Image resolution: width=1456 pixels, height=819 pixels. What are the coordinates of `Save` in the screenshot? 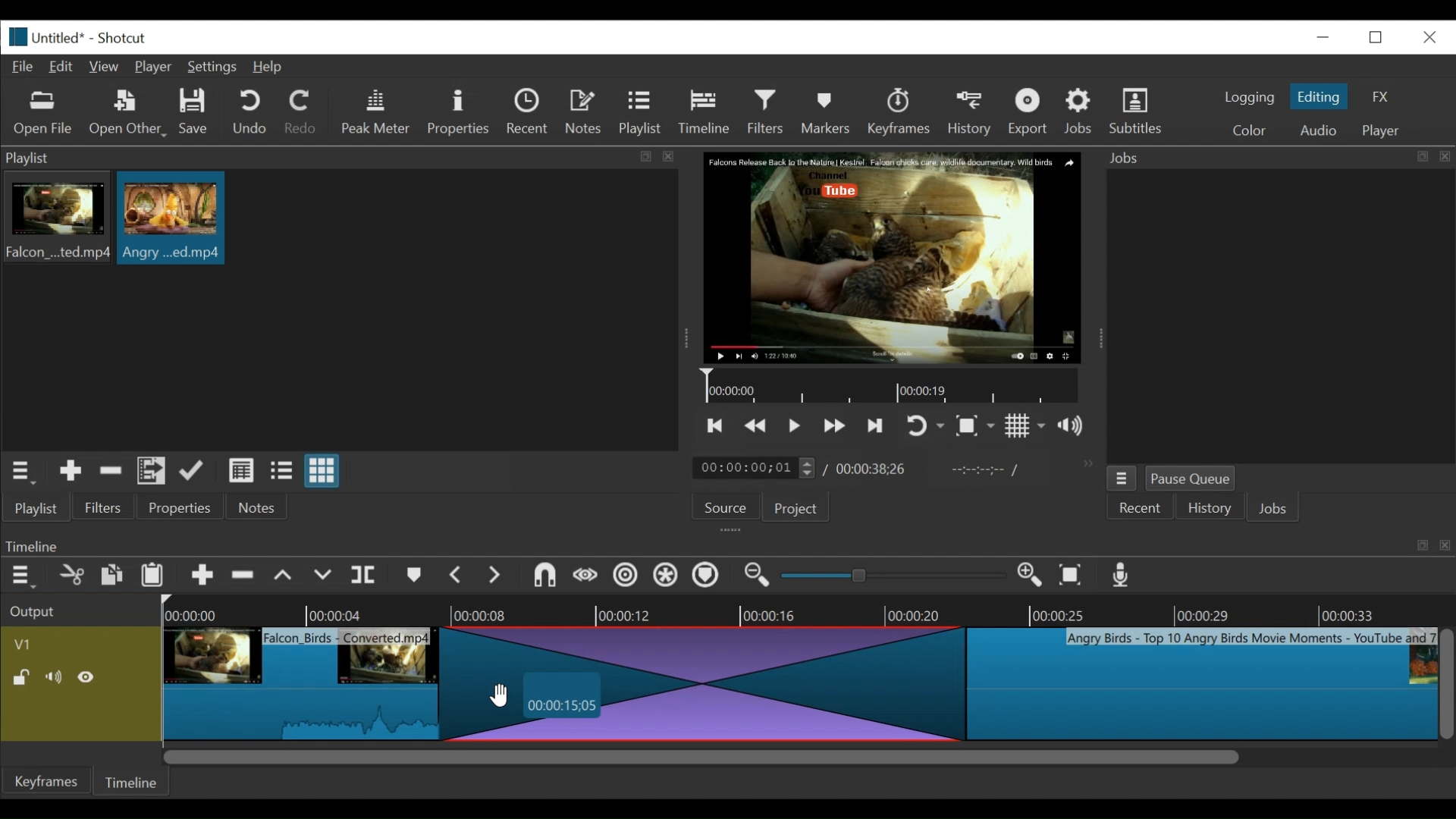 It's located at (194, 114).